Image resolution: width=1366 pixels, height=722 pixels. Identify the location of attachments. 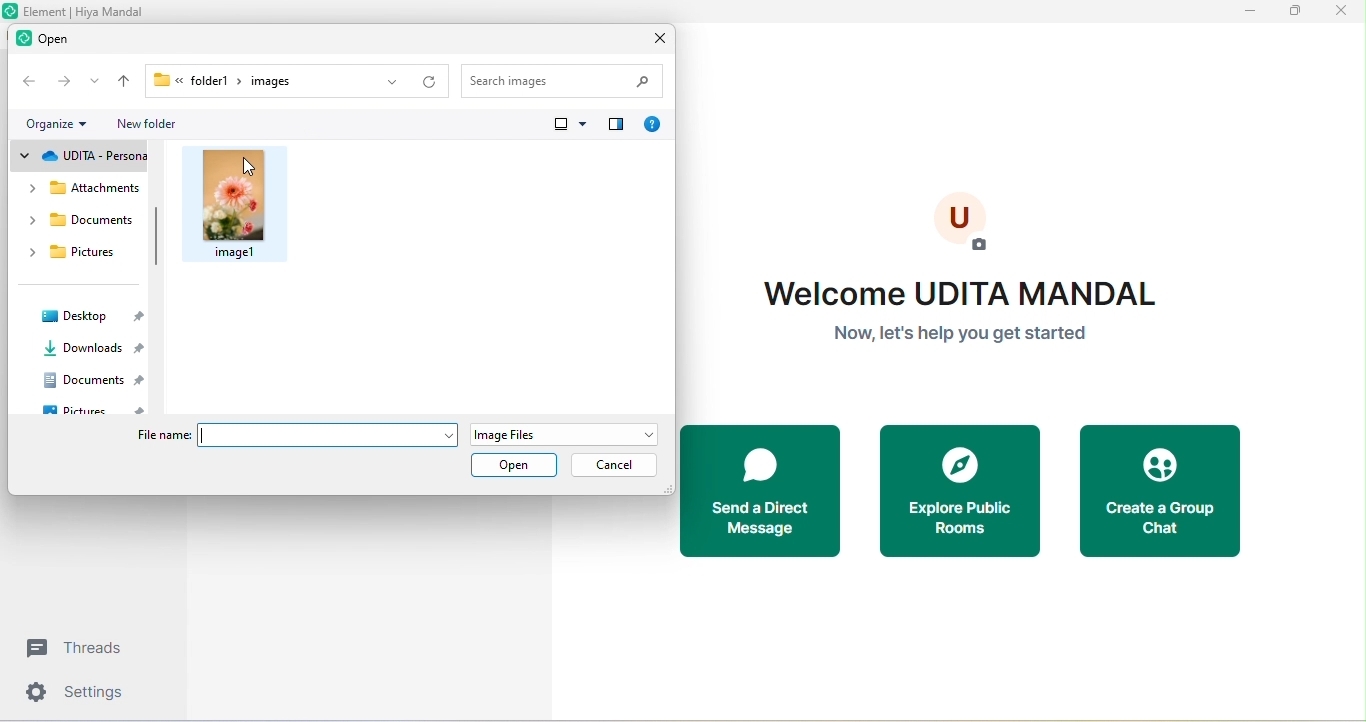
(81, 187).